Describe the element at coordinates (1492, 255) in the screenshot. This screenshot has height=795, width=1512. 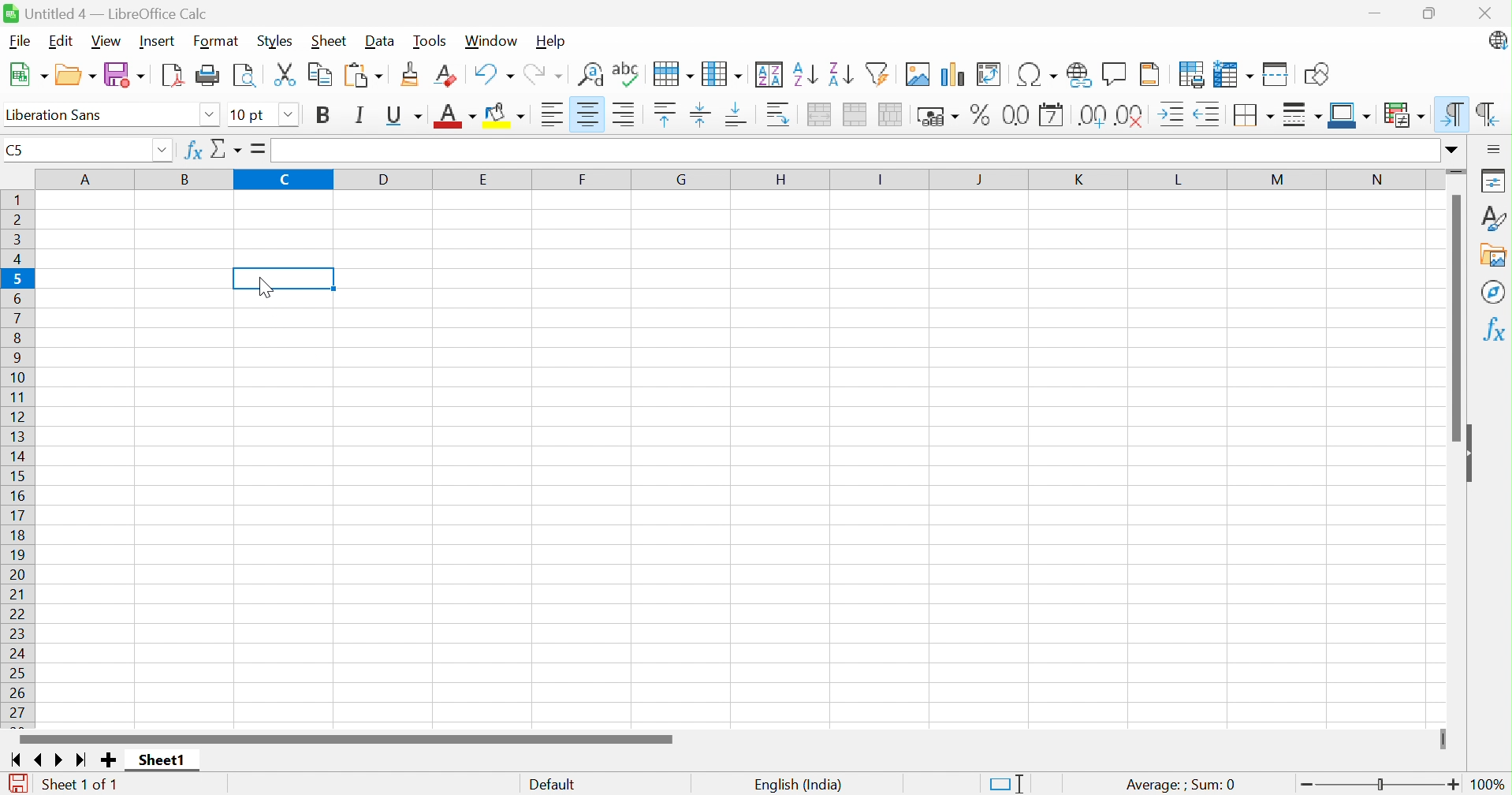
I see `Gallery` at that location.